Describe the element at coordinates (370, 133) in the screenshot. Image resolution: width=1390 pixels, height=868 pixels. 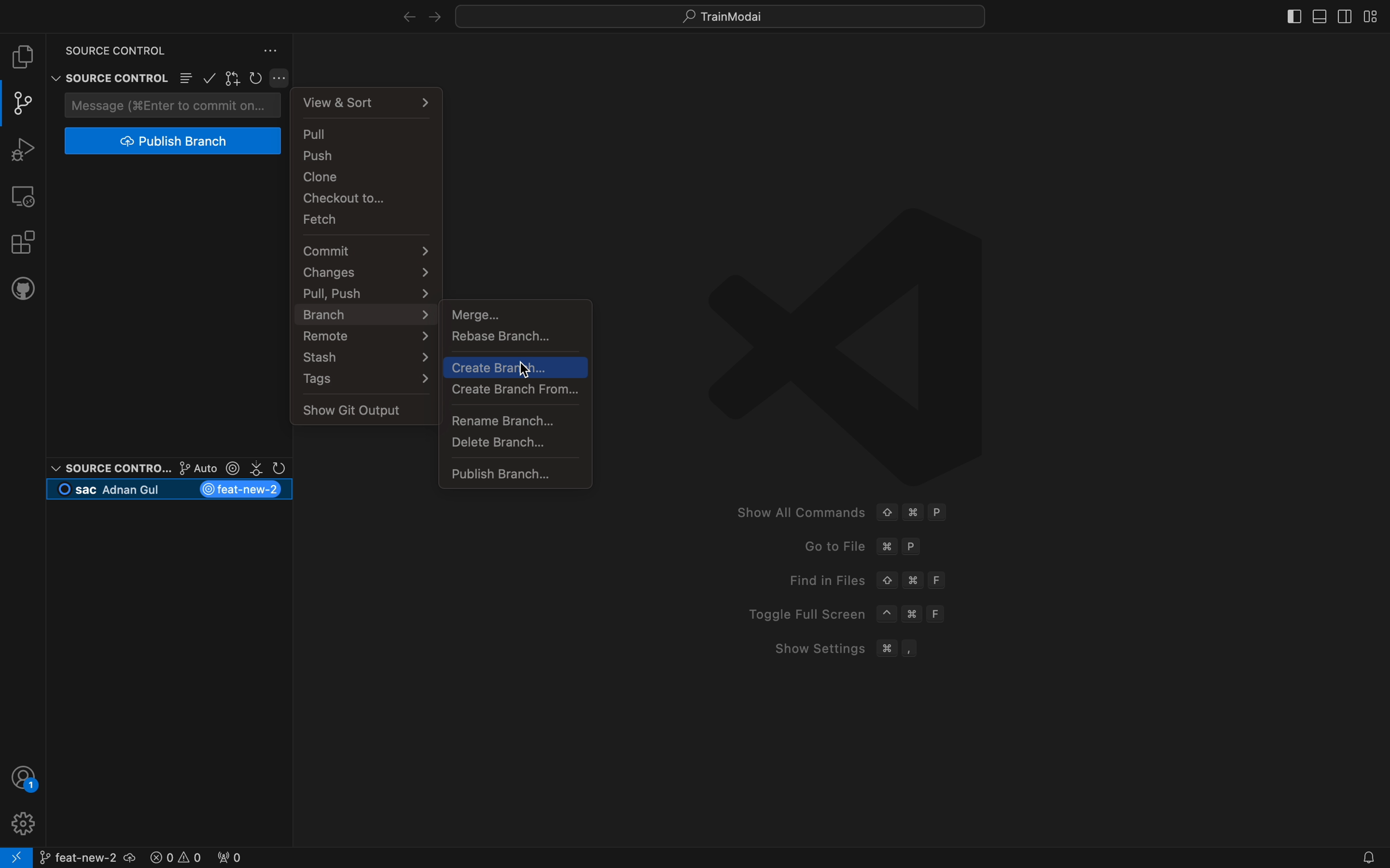
I see `pull` at that location.